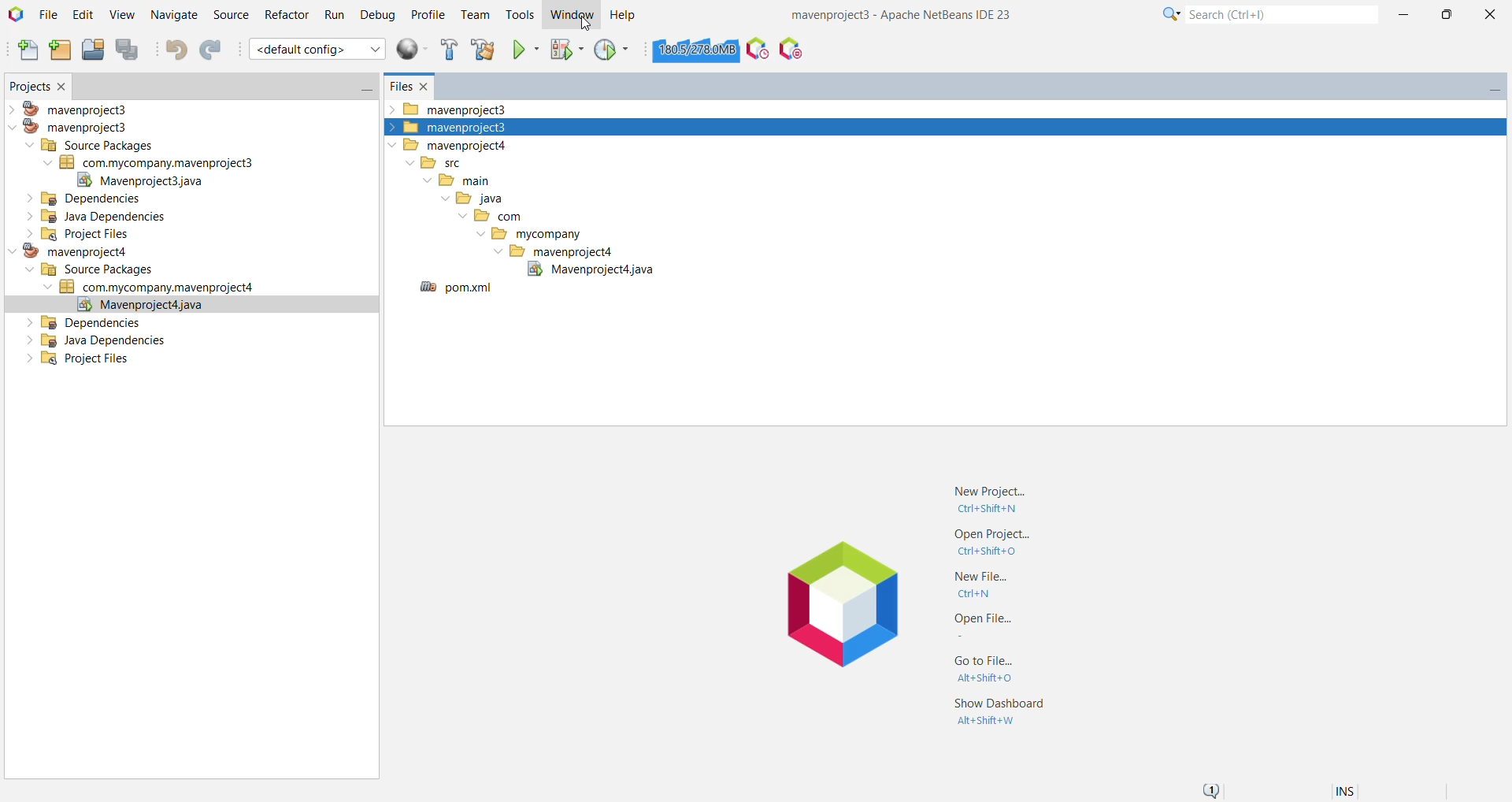 This screenshot has height=802, width=1512. I want to click on src, so click(436, 163).